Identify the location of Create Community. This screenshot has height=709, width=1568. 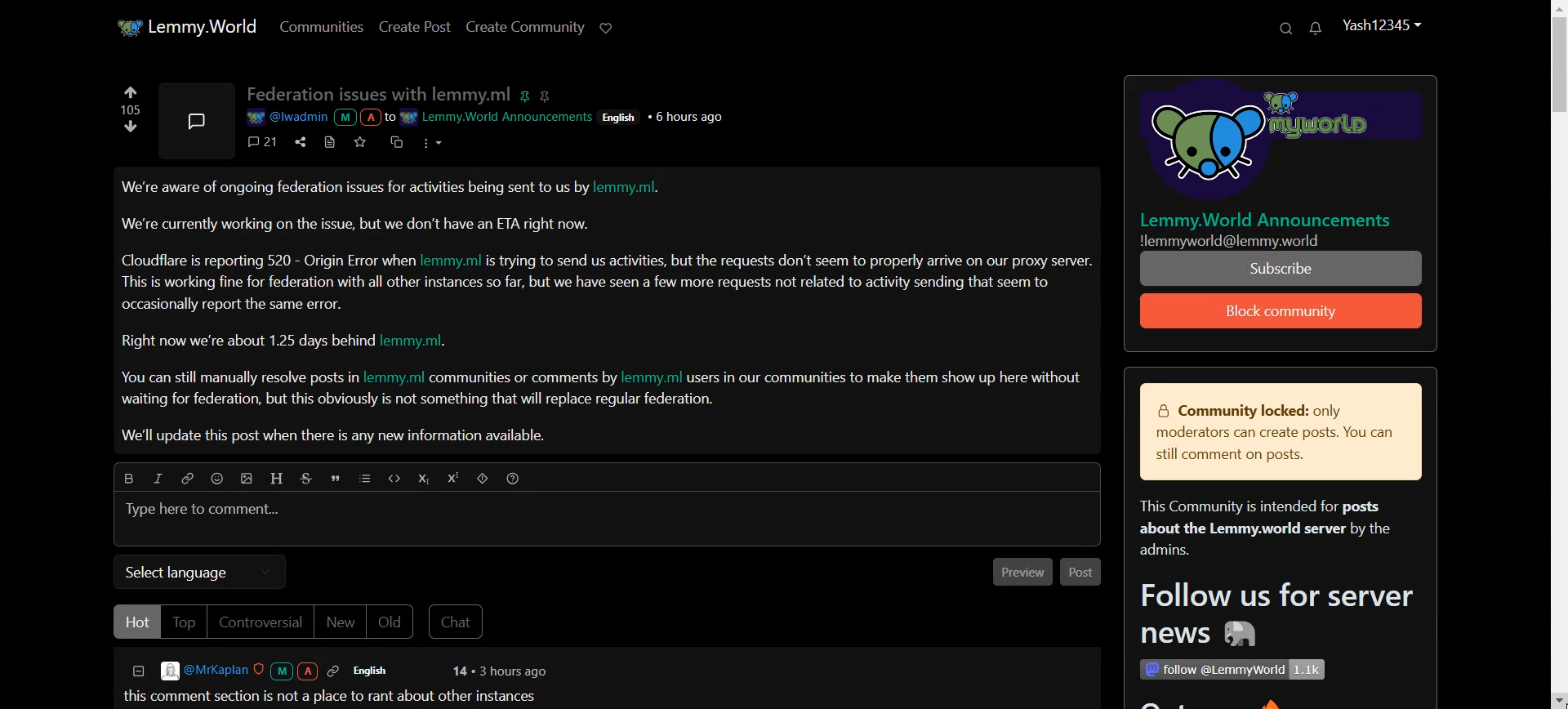
(525, 27).